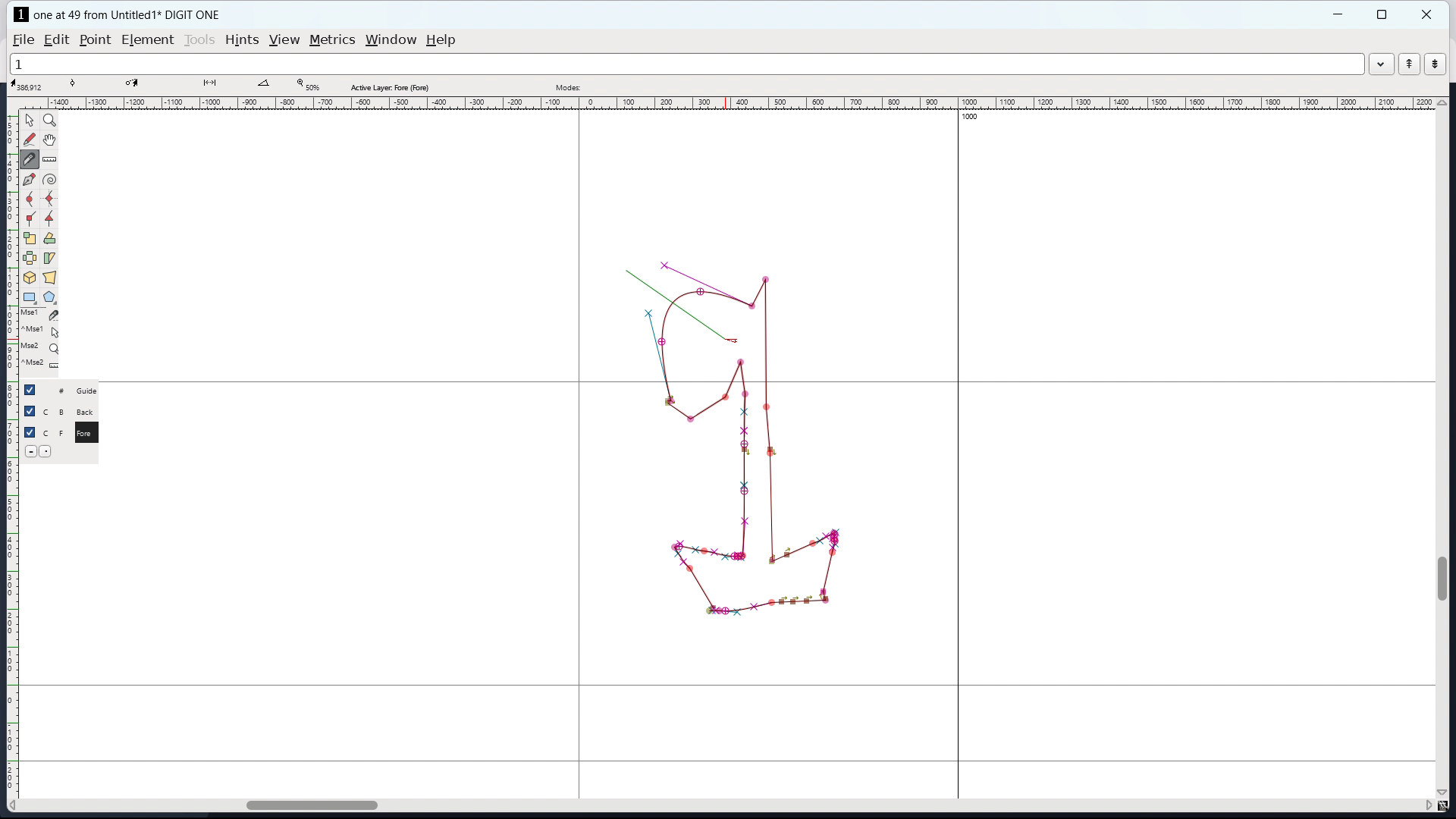  I want to click on pointer, so click(30, 119).